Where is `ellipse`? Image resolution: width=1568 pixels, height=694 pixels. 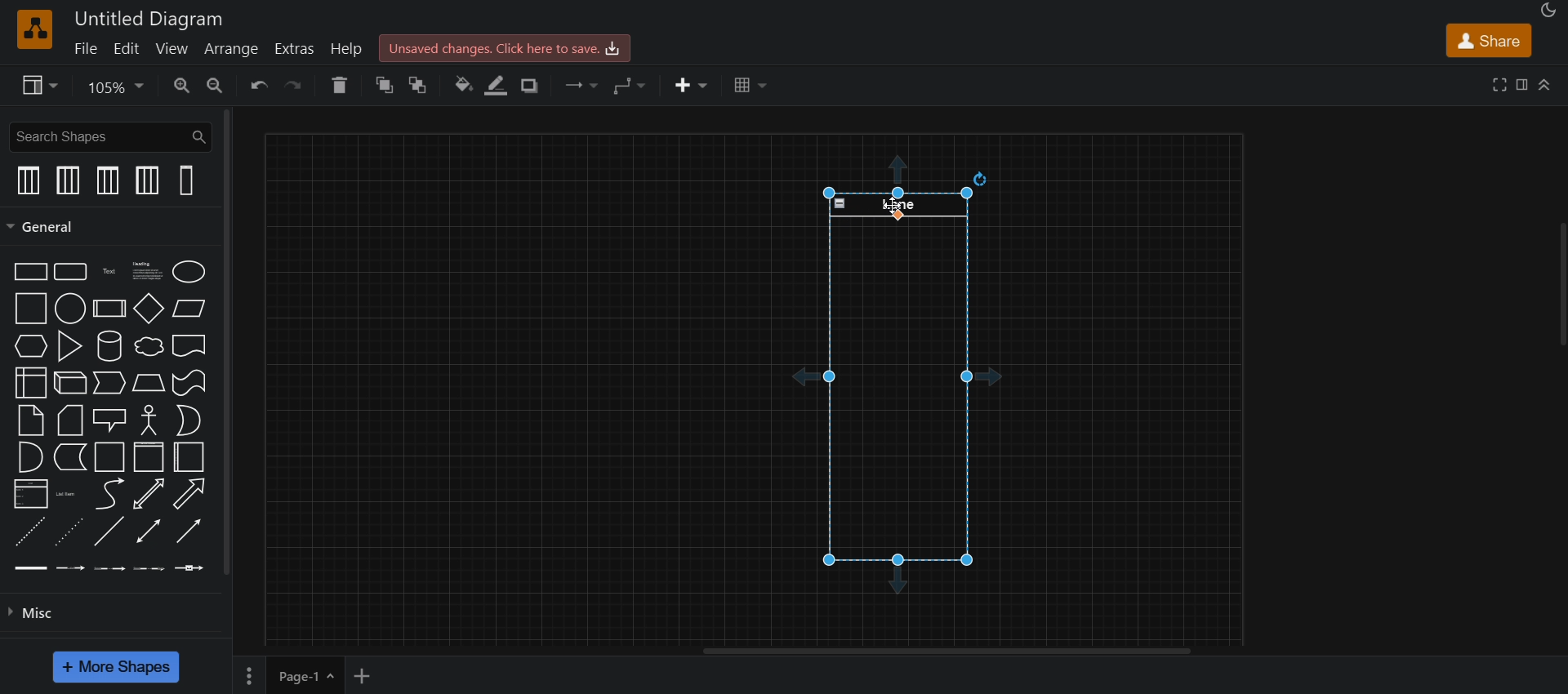
ellipse is located at coordinates (192, 270).